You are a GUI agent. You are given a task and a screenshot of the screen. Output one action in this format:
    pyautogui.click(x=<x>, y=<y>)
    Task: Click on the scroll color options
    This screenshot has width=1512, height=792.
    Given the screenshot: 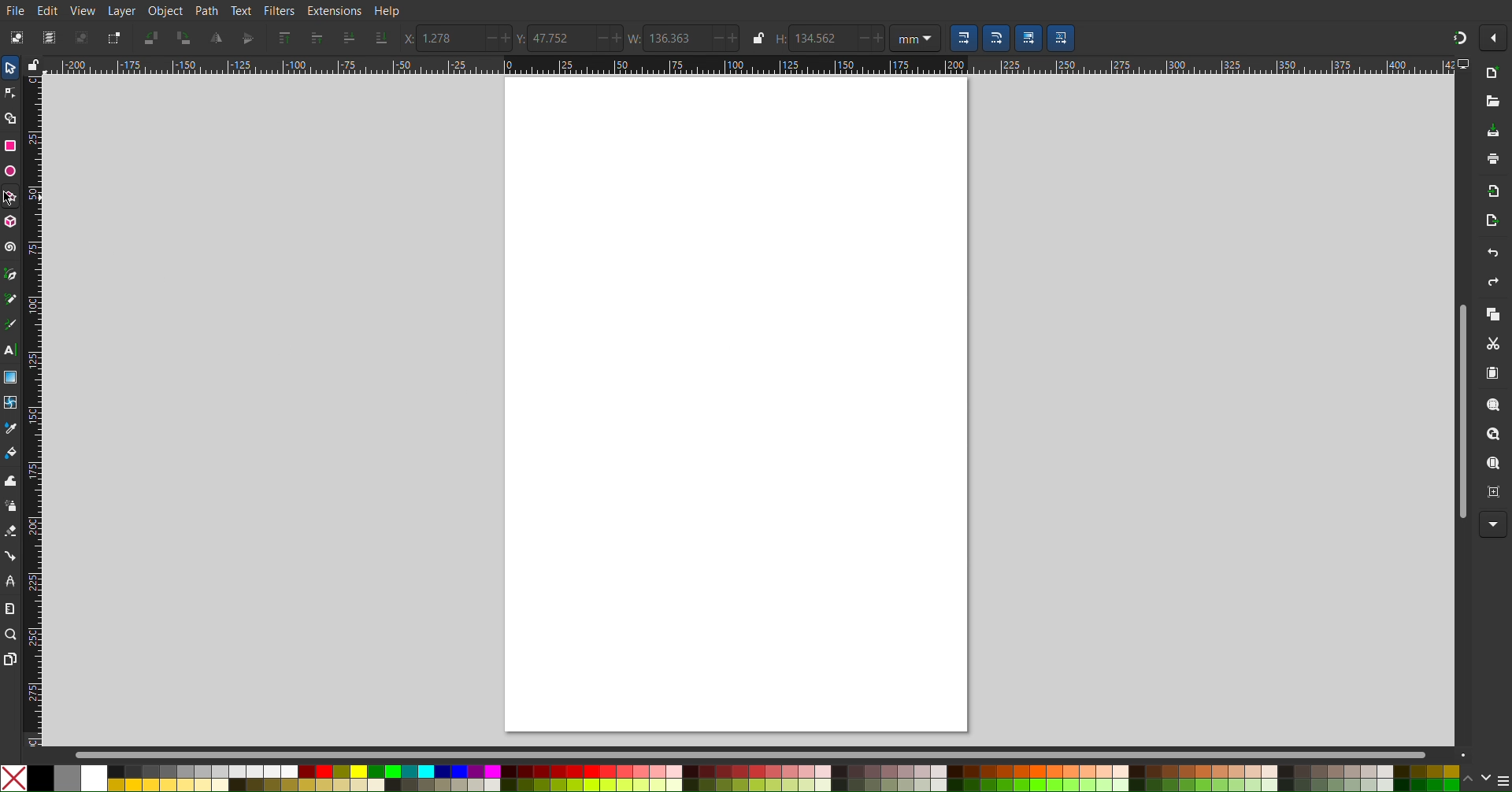 What is the action you would take?
    pyautogui.click(x=1476, y=778)
    